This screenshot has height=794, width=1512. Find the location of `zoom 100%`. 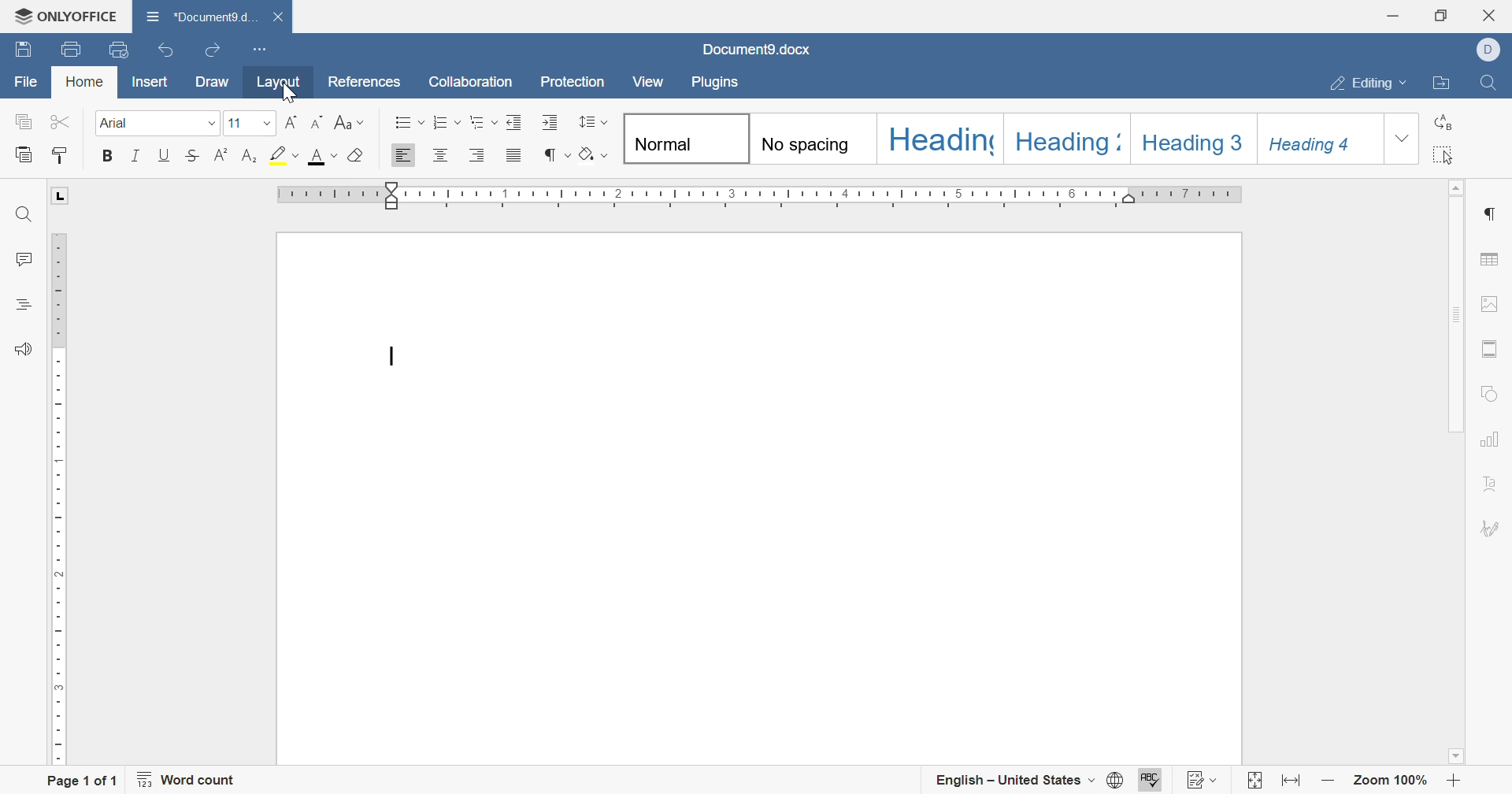

zoom 100% is located at coordinates (1392, 783).